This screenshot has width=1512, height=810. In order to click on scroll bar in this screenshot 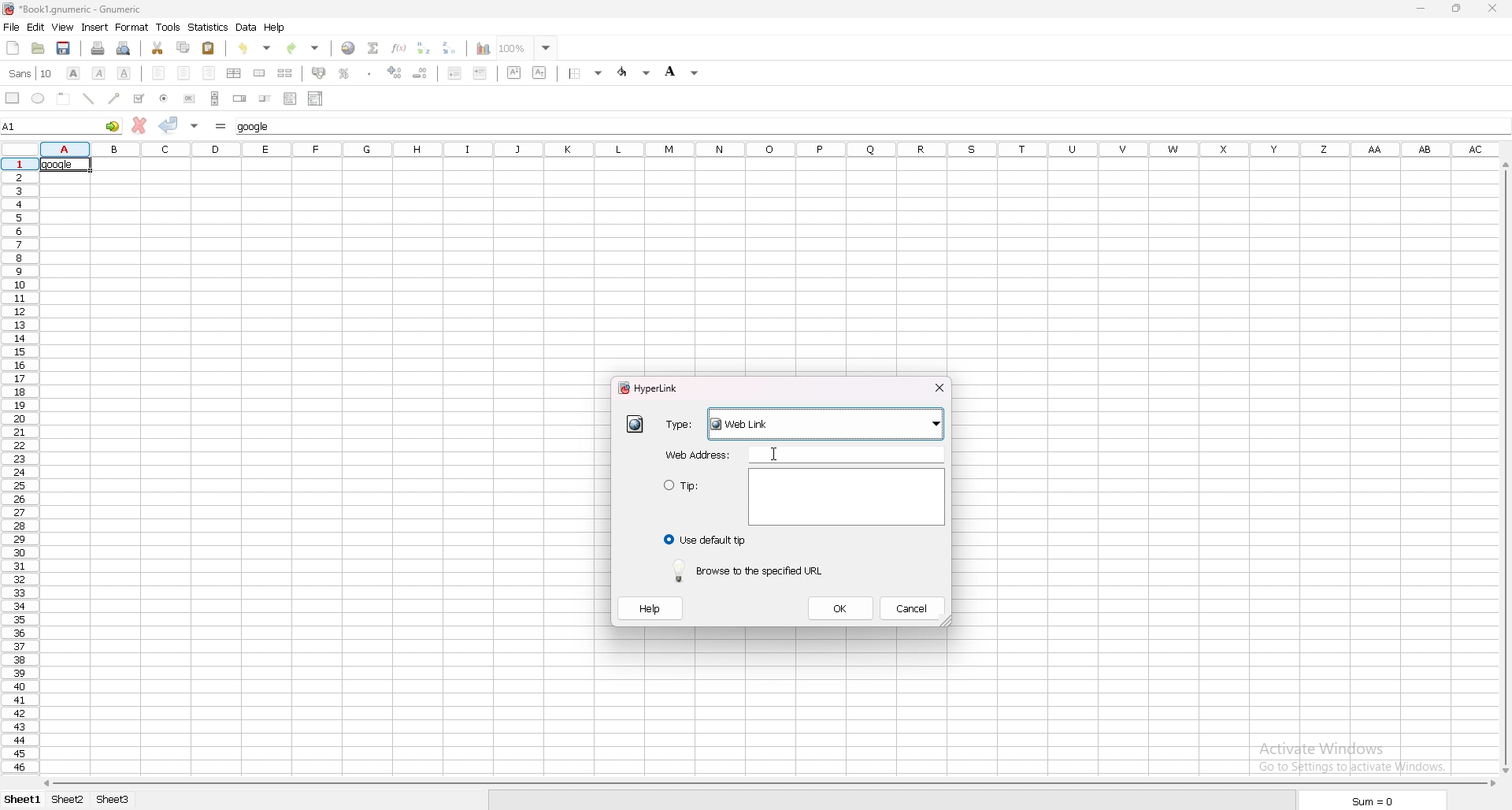, I will do `click(768, 783)`.